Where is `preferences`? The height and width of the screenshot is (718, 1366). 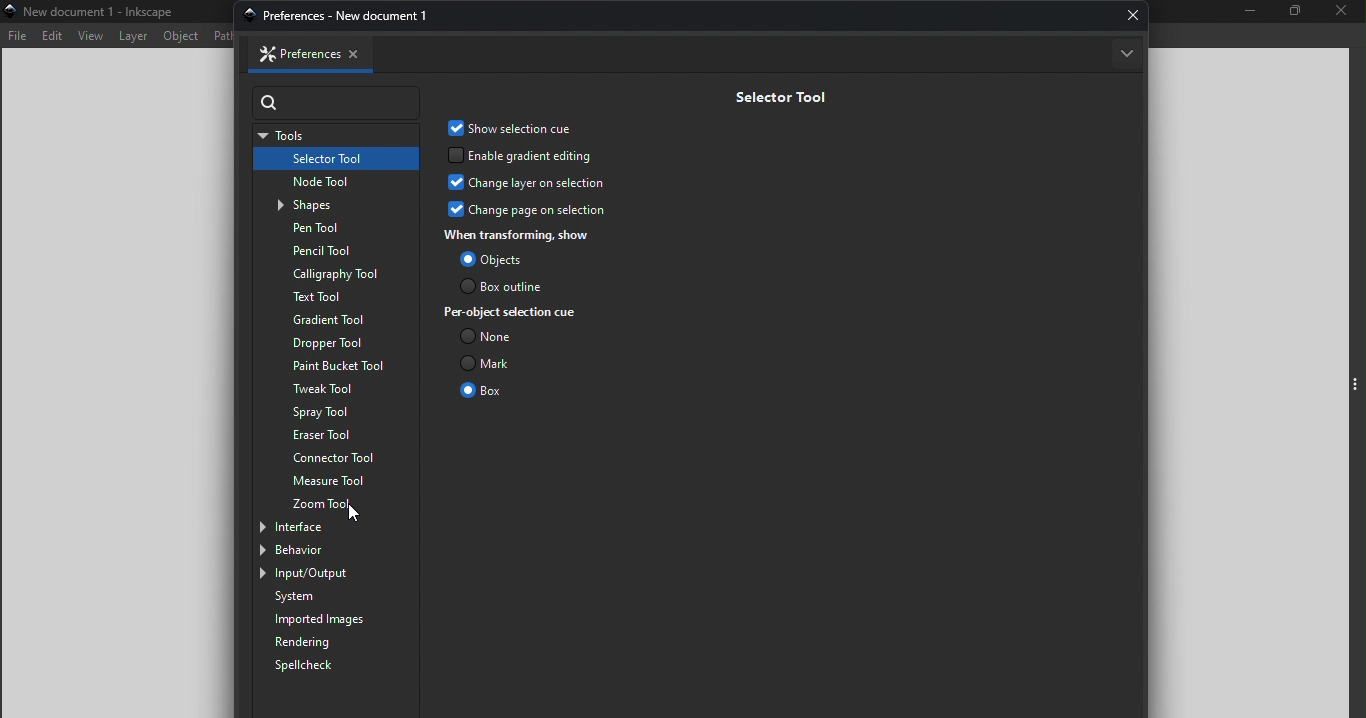 preferences is located at coordinates (347, 16).